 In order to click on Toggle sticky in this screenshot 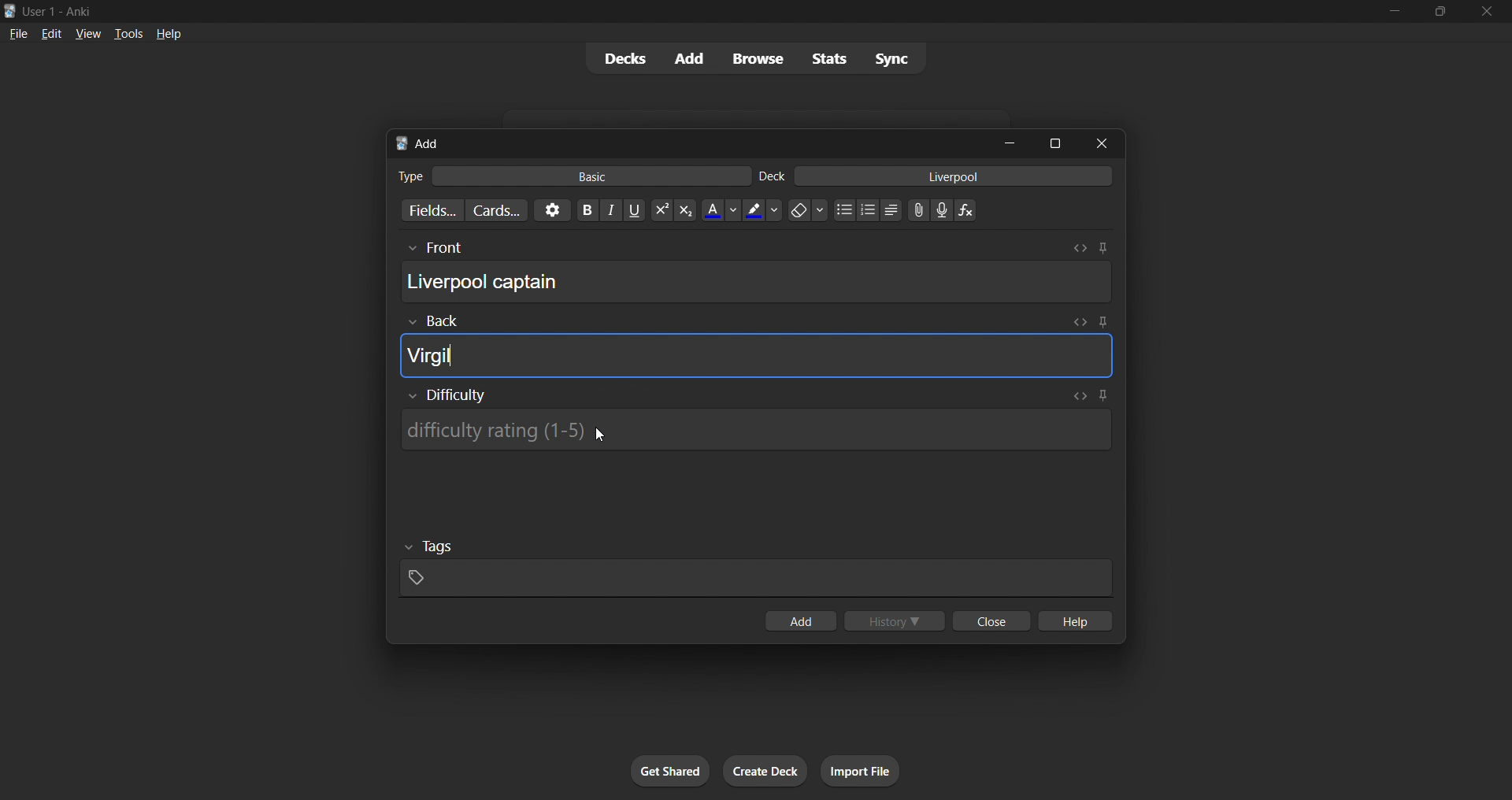, I will do `click(1100, 324)`.